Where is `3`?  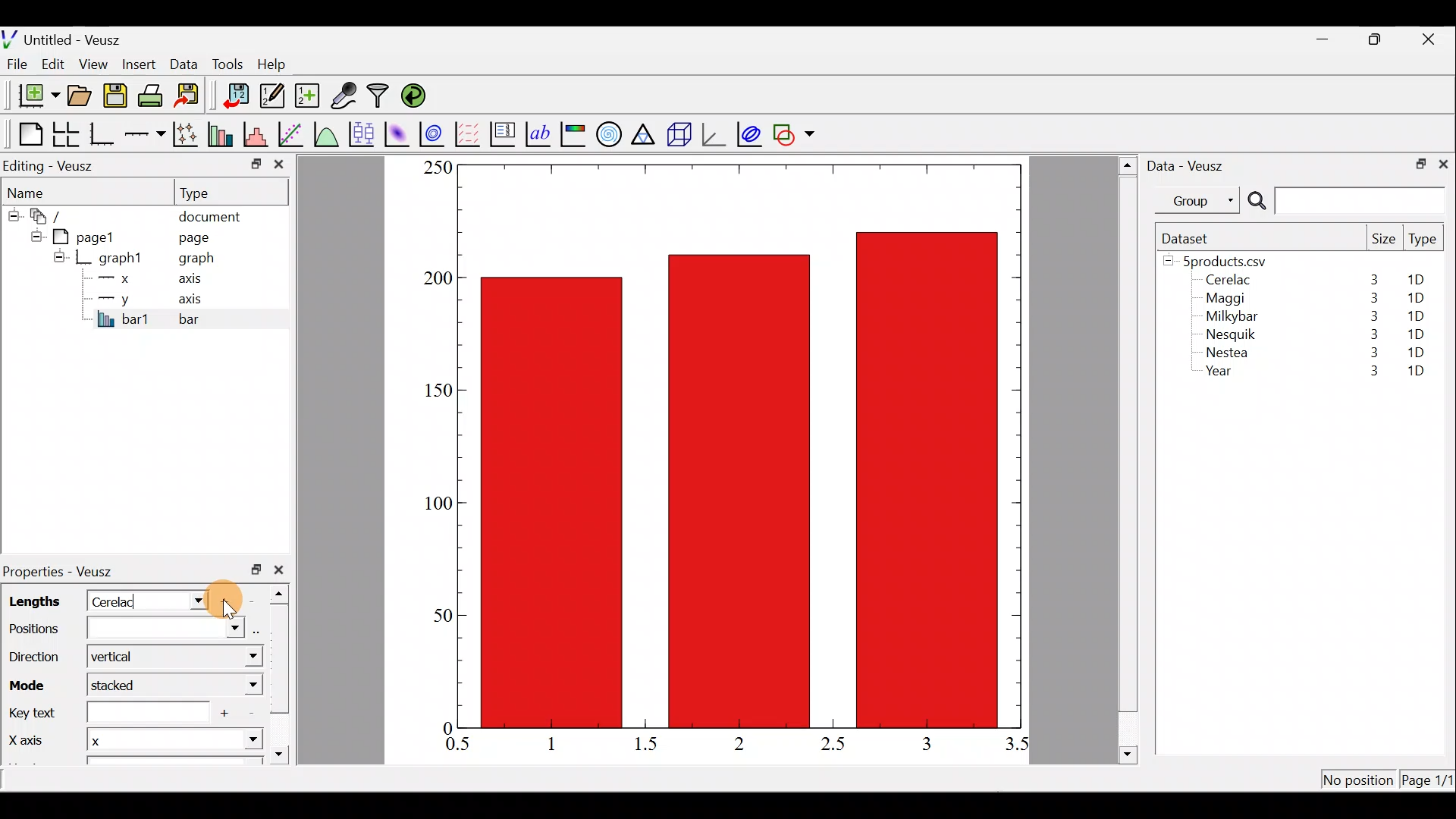 3 is located at coordinates (1370, 298).